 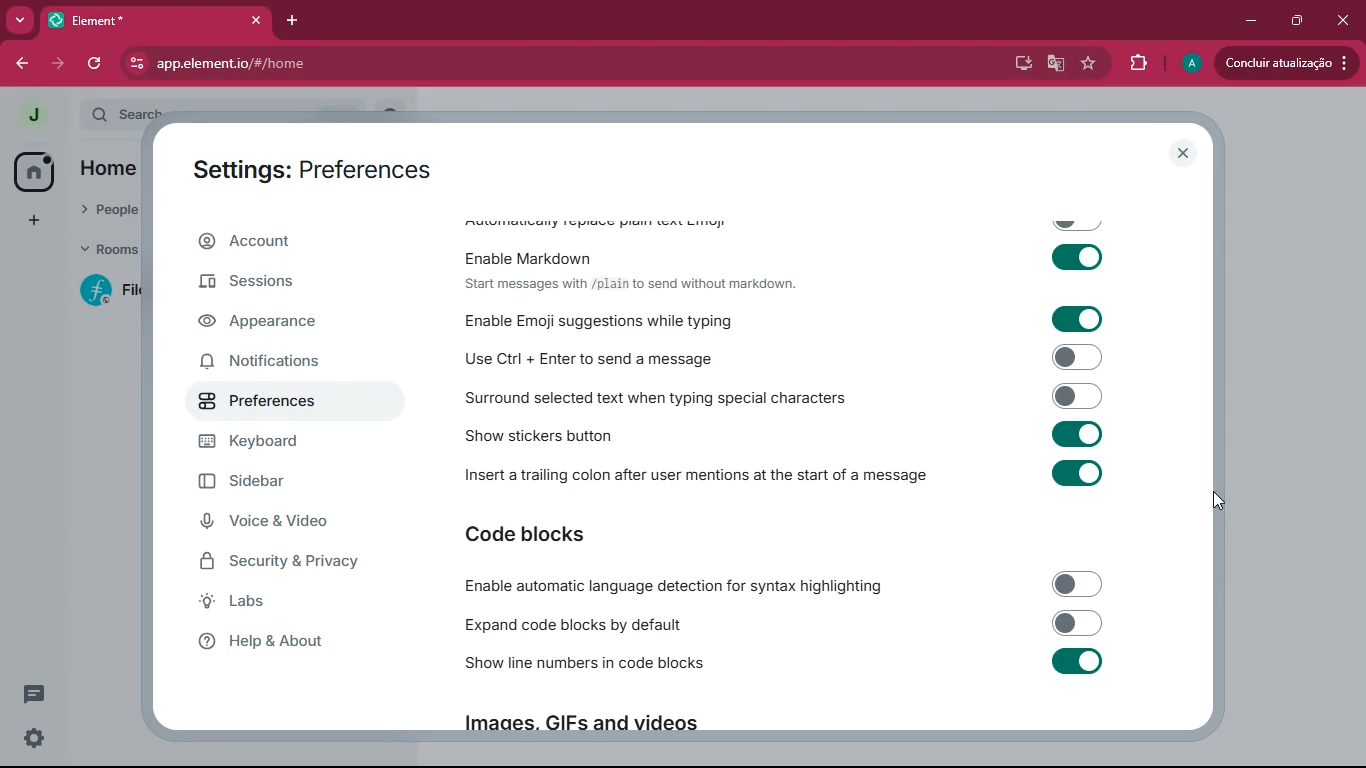 What do you see at coordinates (32, 694) in the screenshot?
I see `conversation` at bounding box center [32, 694].